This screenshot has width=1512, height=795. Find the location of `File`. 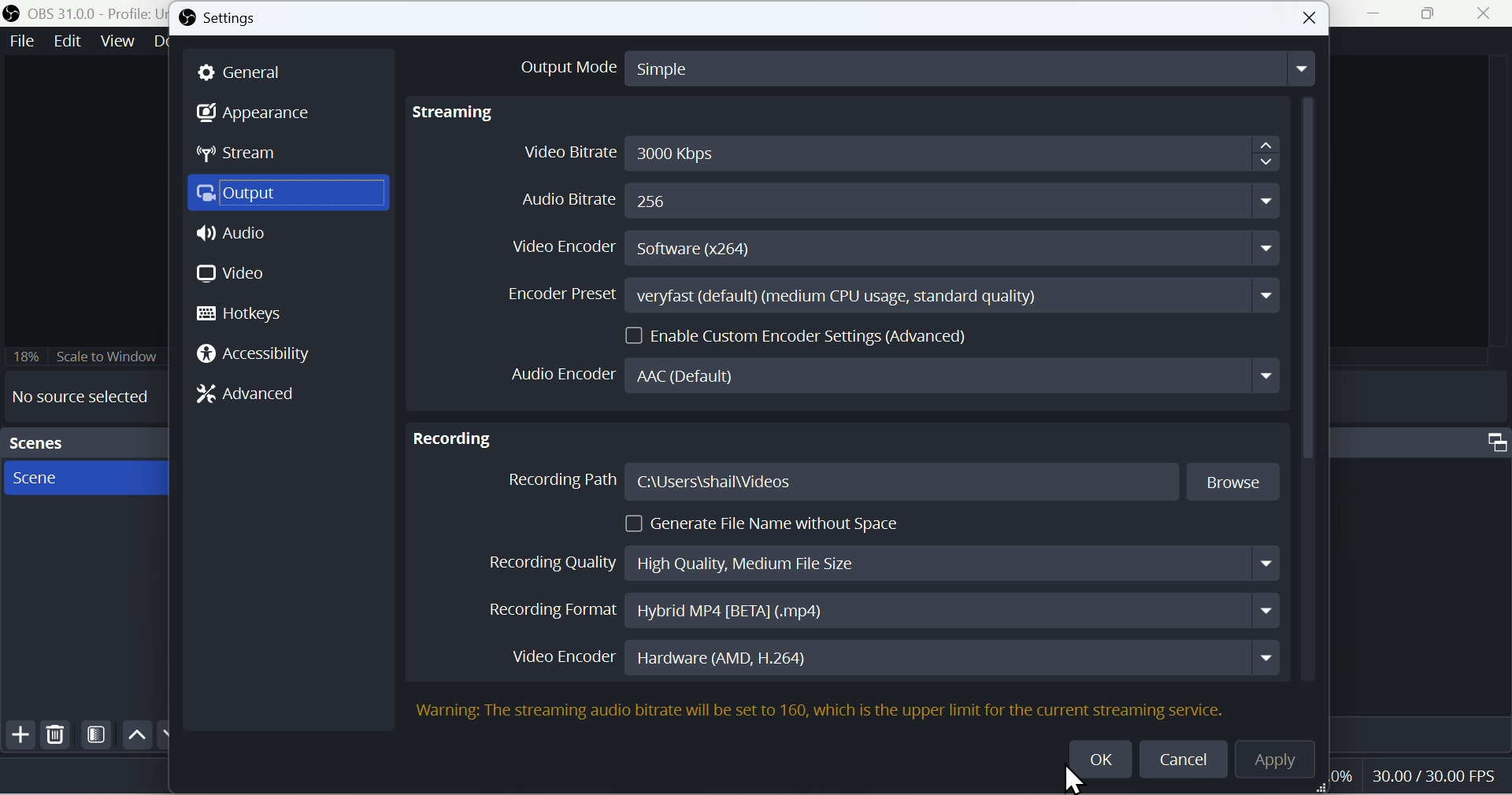

File is located at coordinates (20, 42).